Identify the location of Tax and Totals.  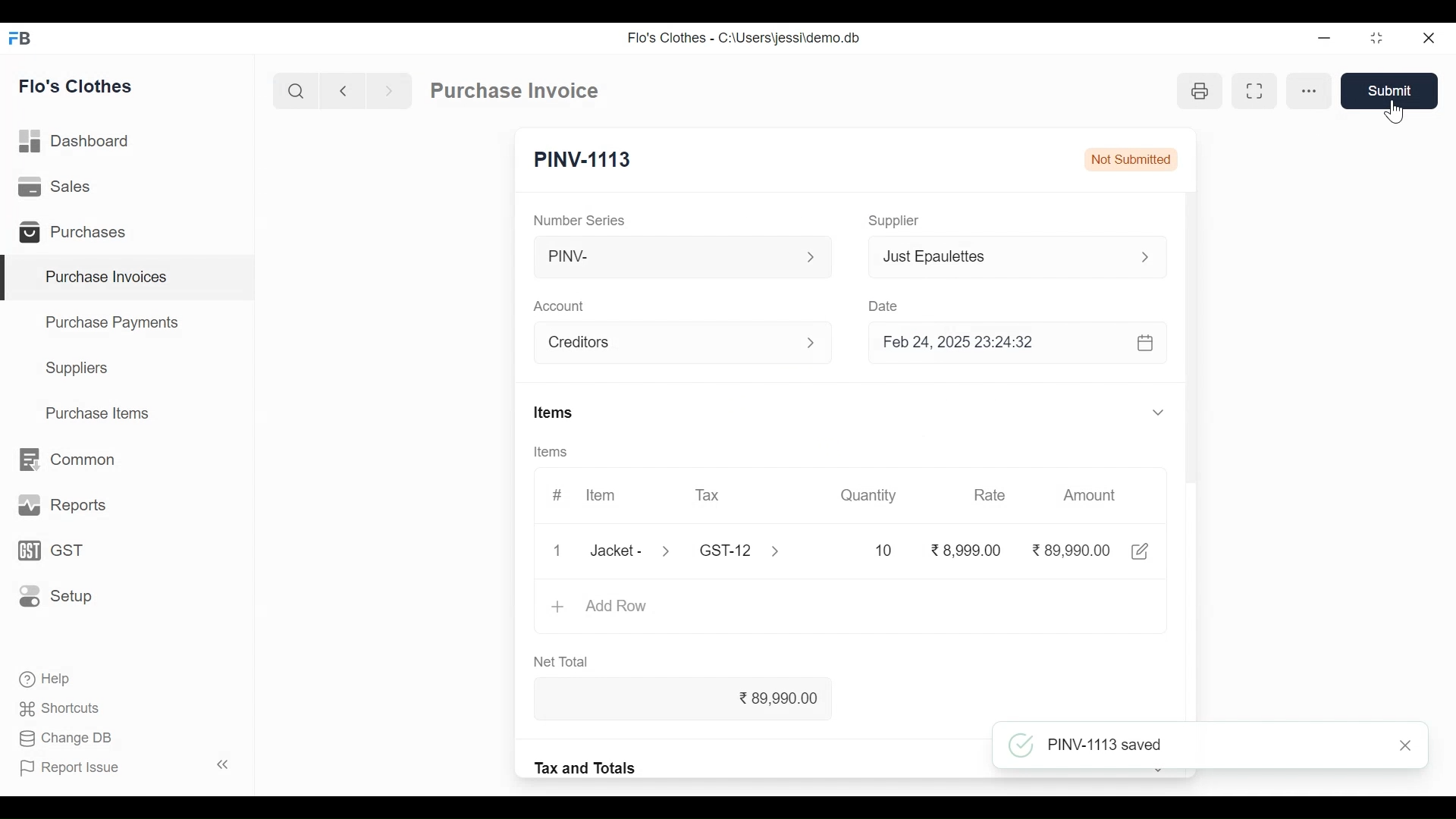
(588, 767).